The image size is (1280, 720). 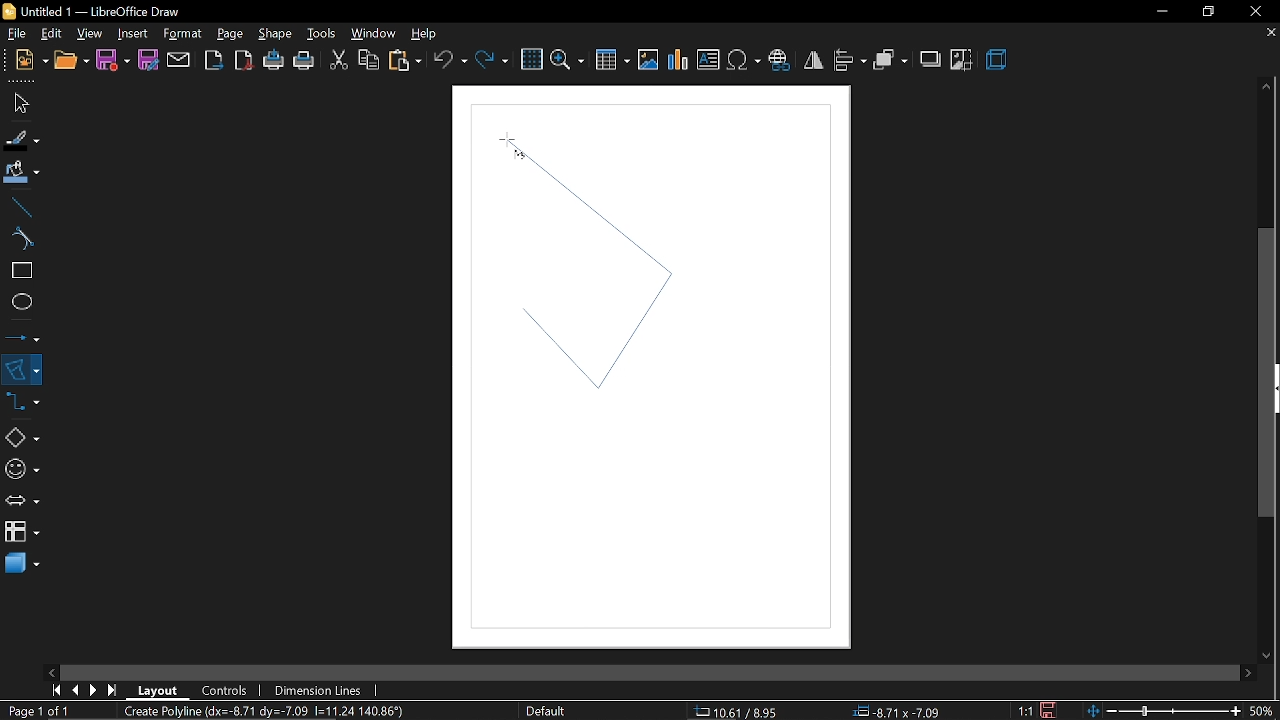 I want to click on next page, so click(x=98, y=688).